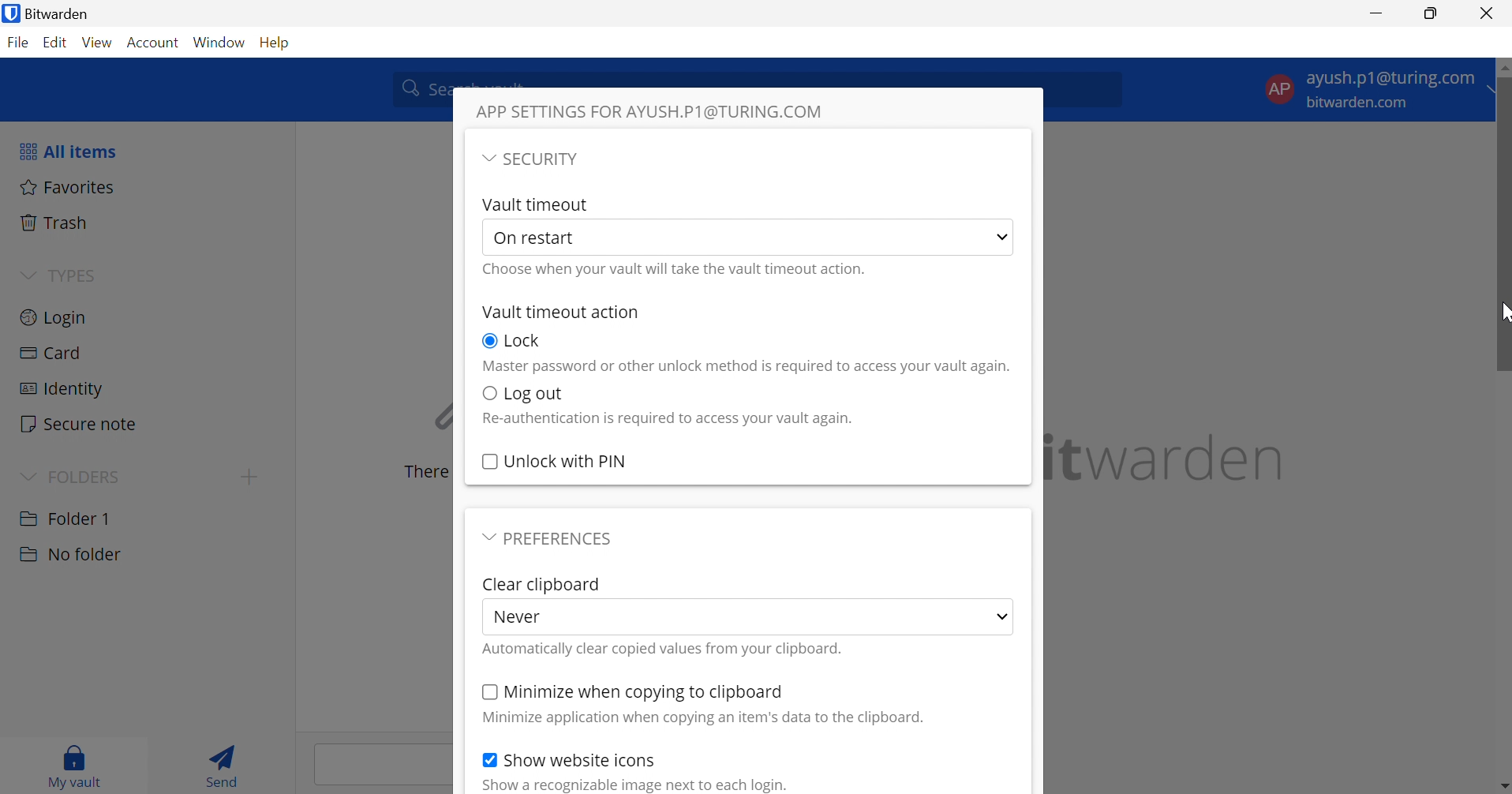  Describe the element at coordinates (627, 786) in the screenshot. I see `Show a recognizable image next to each login.` at that location.